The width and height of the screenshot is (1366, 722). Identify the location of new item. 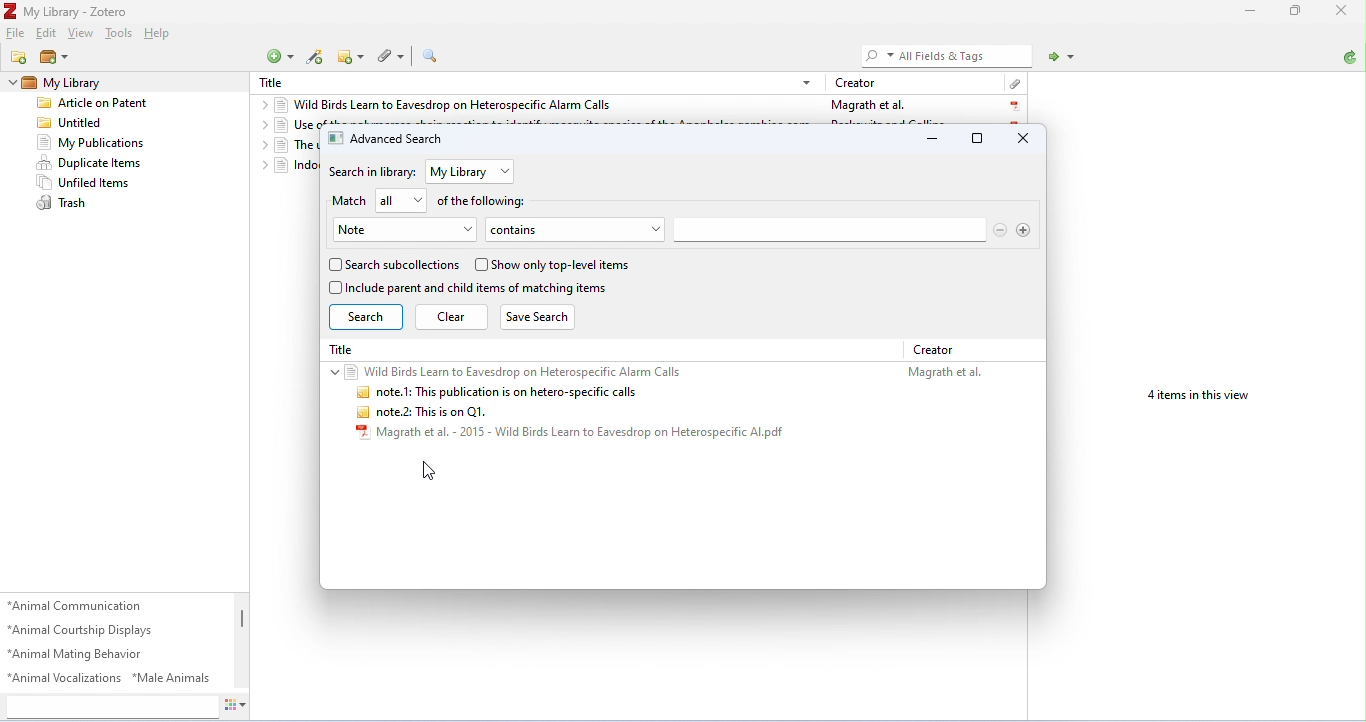
(280, 57).